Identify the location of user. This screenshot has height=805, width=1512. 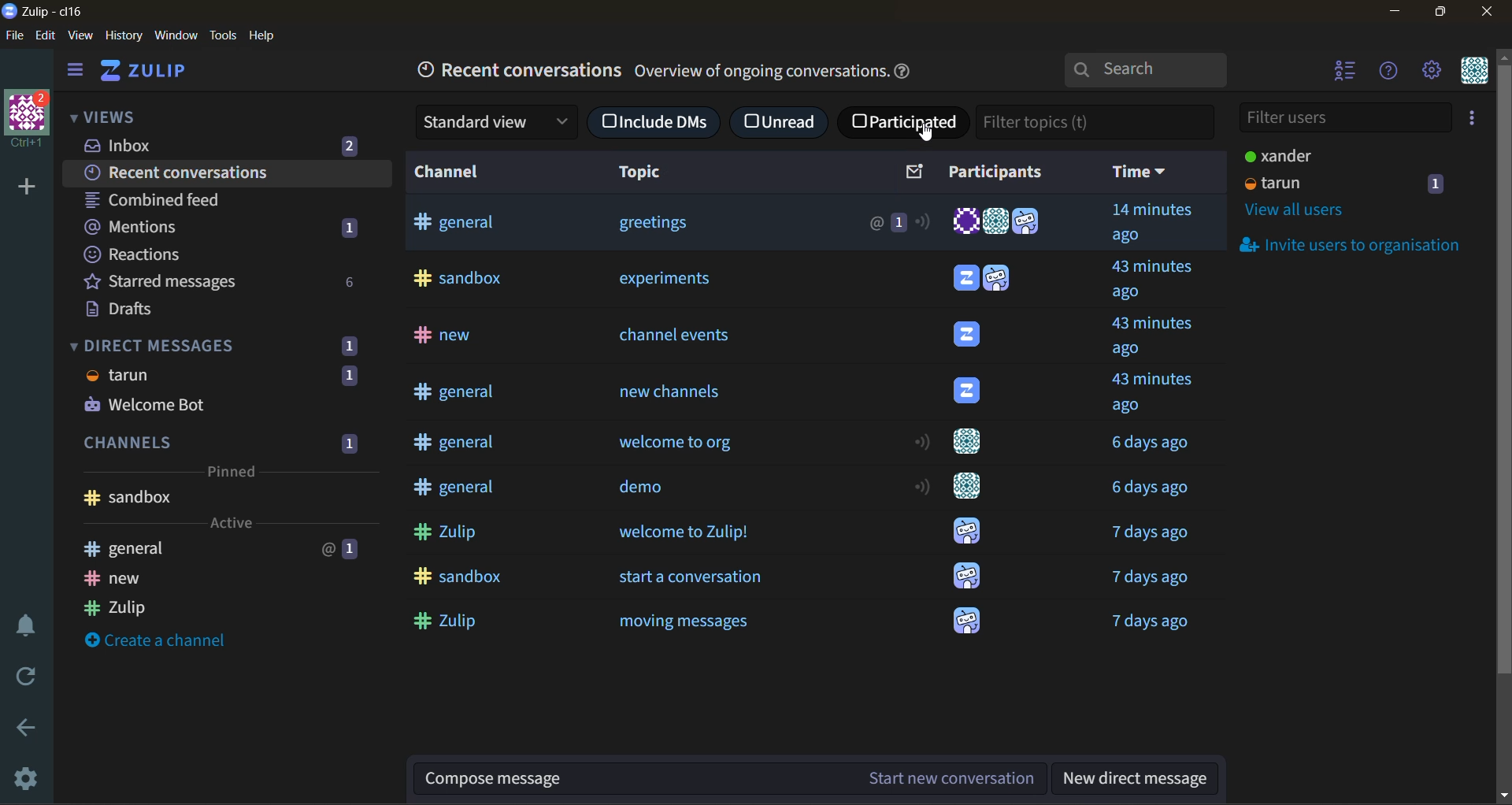
(969, 391).